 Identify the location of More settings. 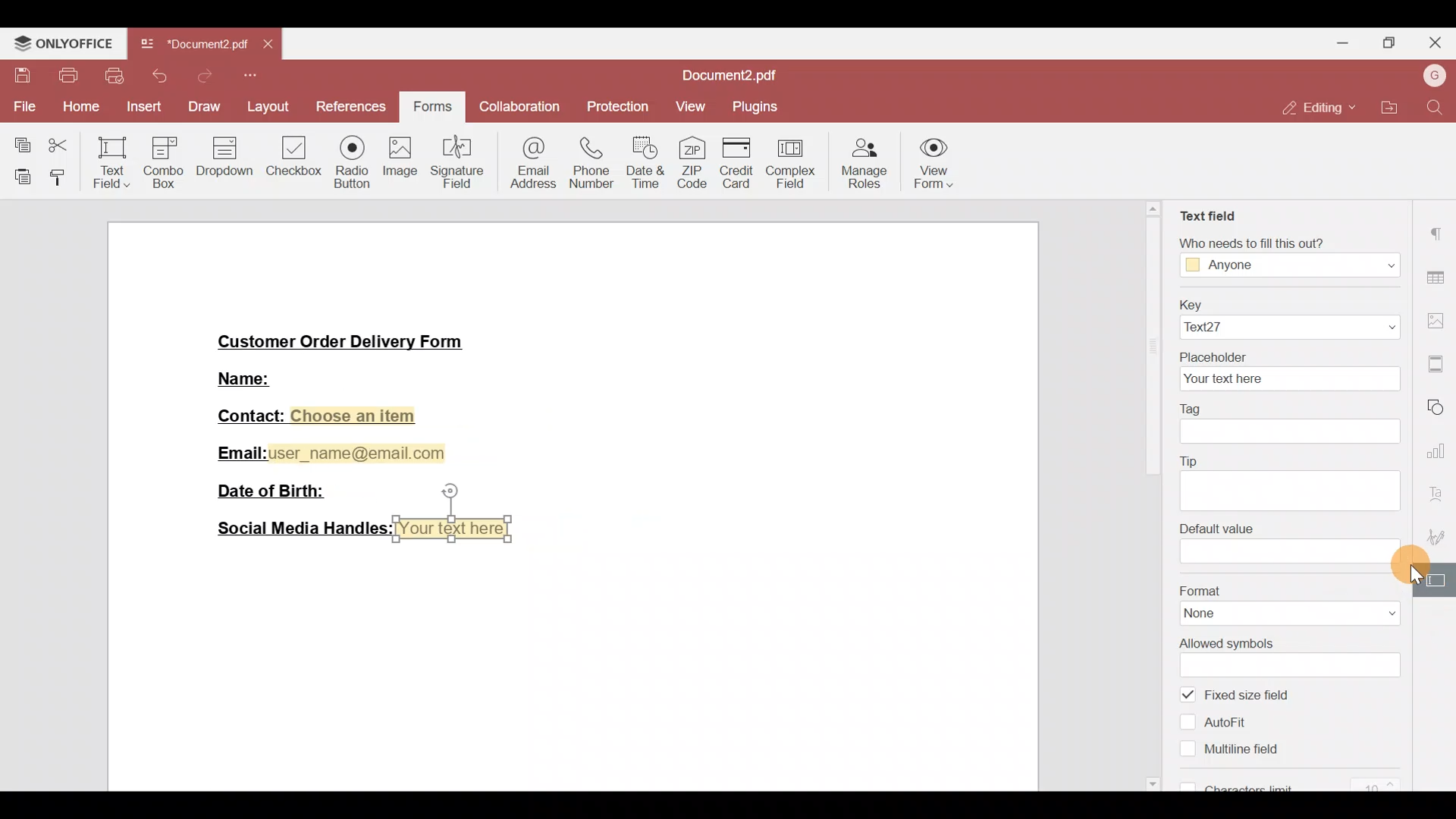
(1438, 359).